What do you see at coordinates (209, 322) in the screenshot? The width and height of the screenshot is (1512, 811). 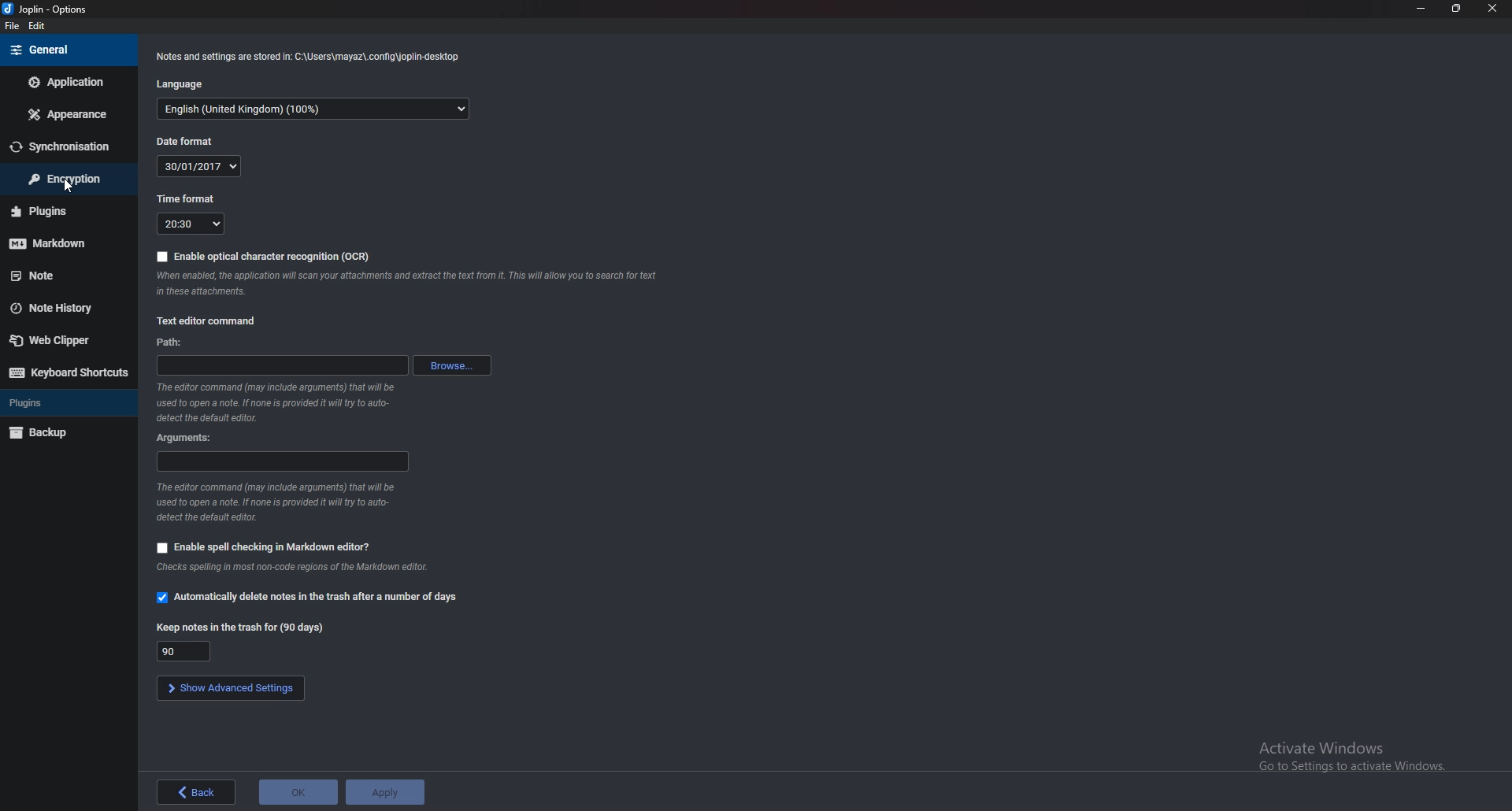 I see `text editor command` at bounding box center [209, 322].